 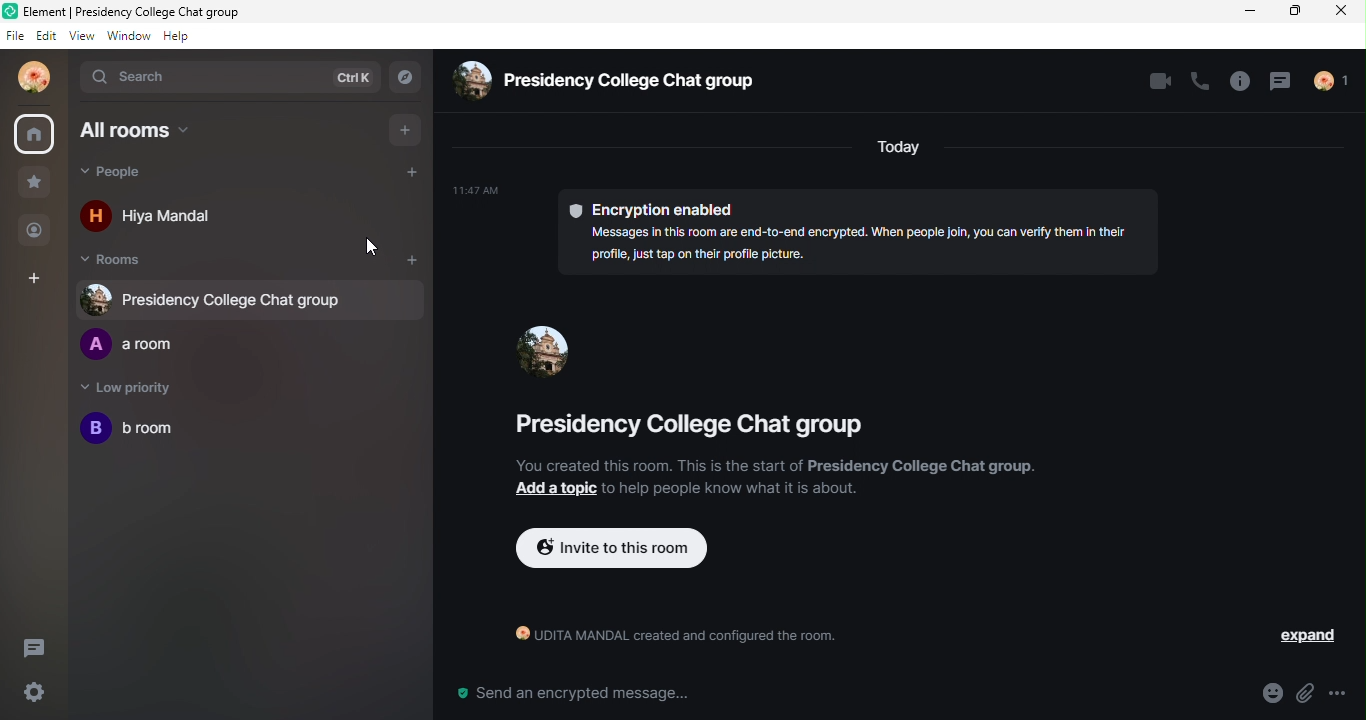 What do you see at coordinates (1298, 13) in the screenshot?
I see `maximize` at bounding box center [1298, 13].